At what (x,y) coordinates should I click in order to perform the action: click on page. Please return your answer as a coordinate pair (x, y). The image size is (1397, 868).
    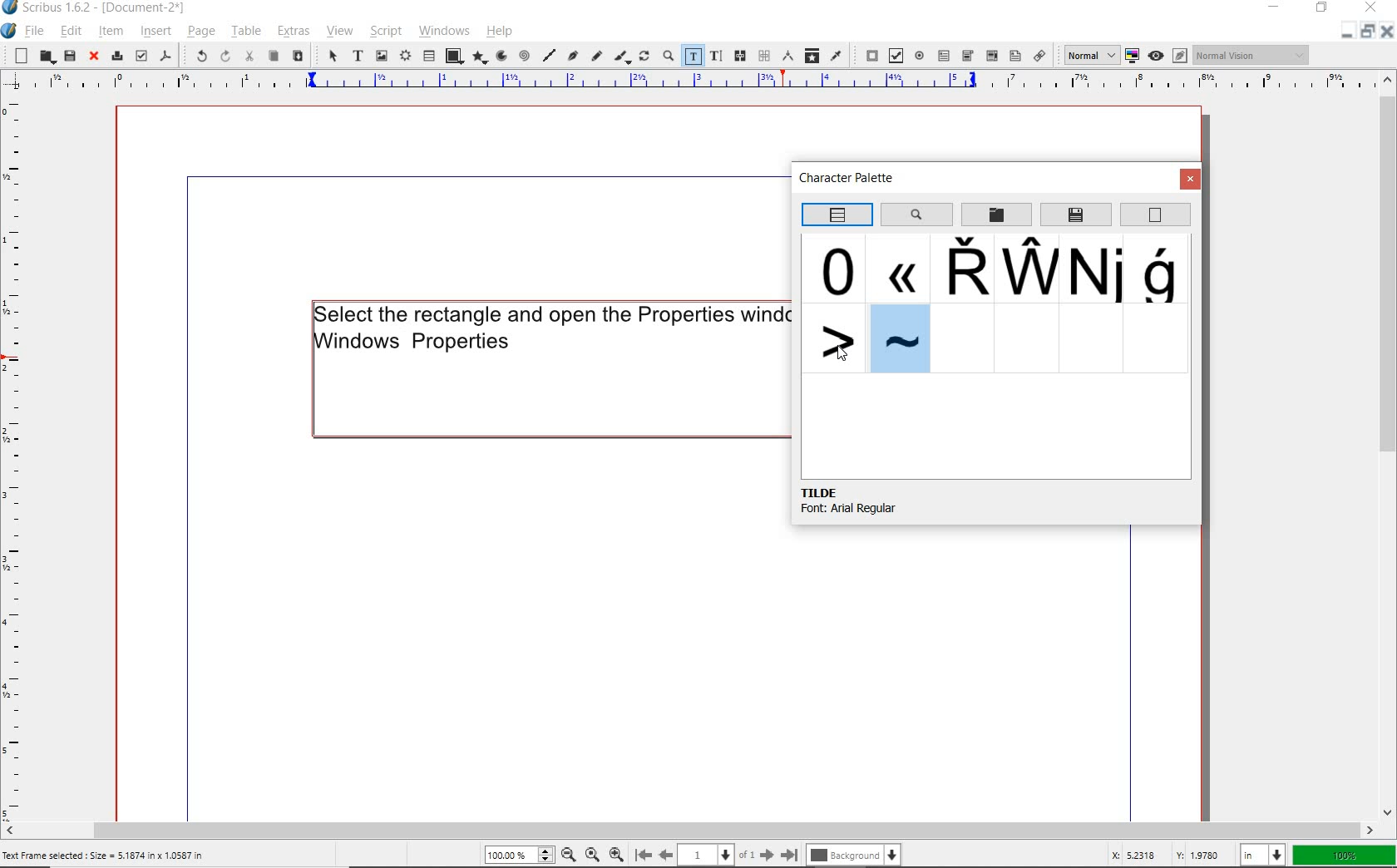
    Looking at the image, I should click on (200, 31).